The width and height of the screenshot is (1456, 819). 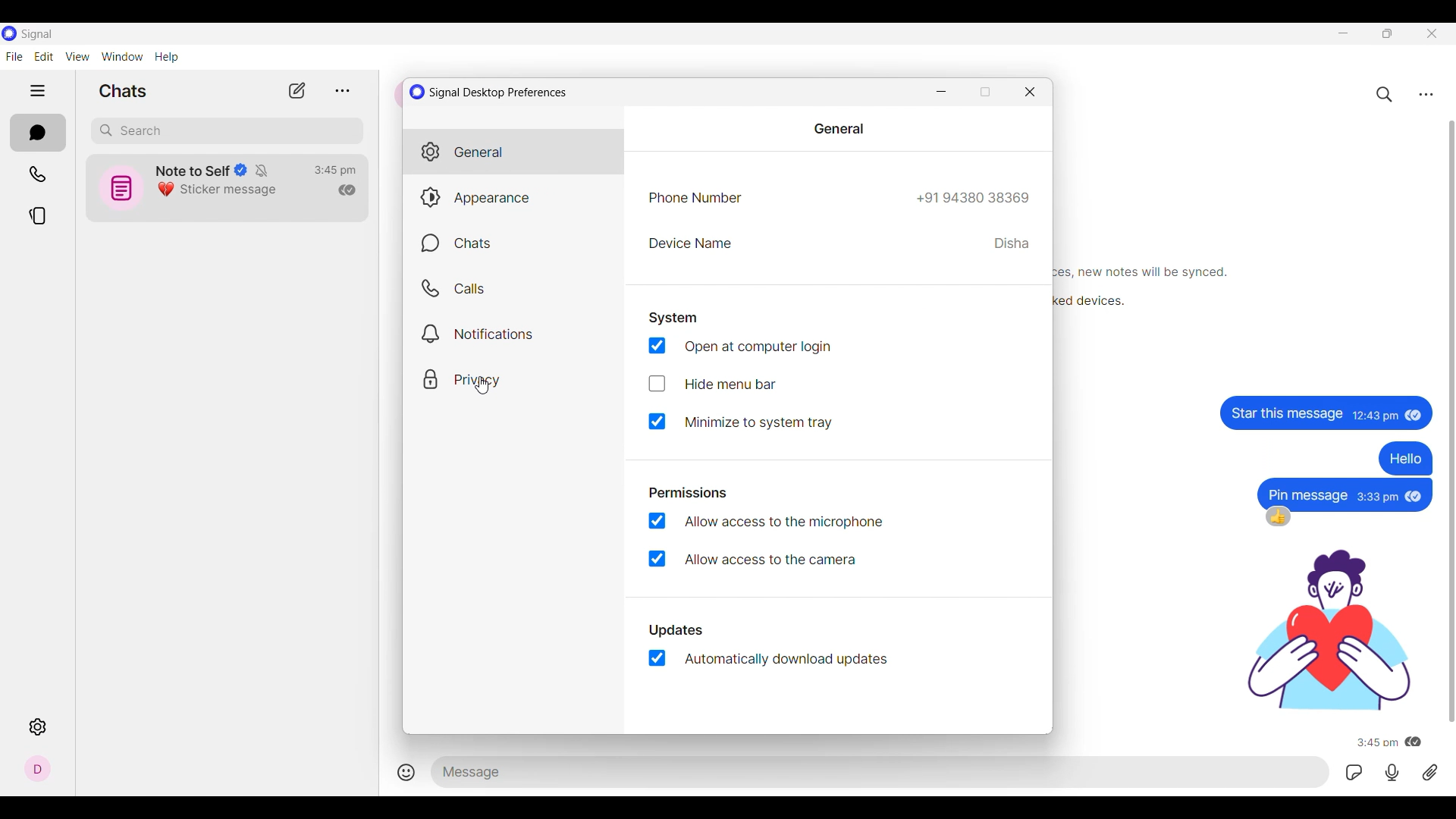 What do you see at coordinates (1387, 33) in the screenshot?
I see `Restore down` at bounding box center [1387, 33].